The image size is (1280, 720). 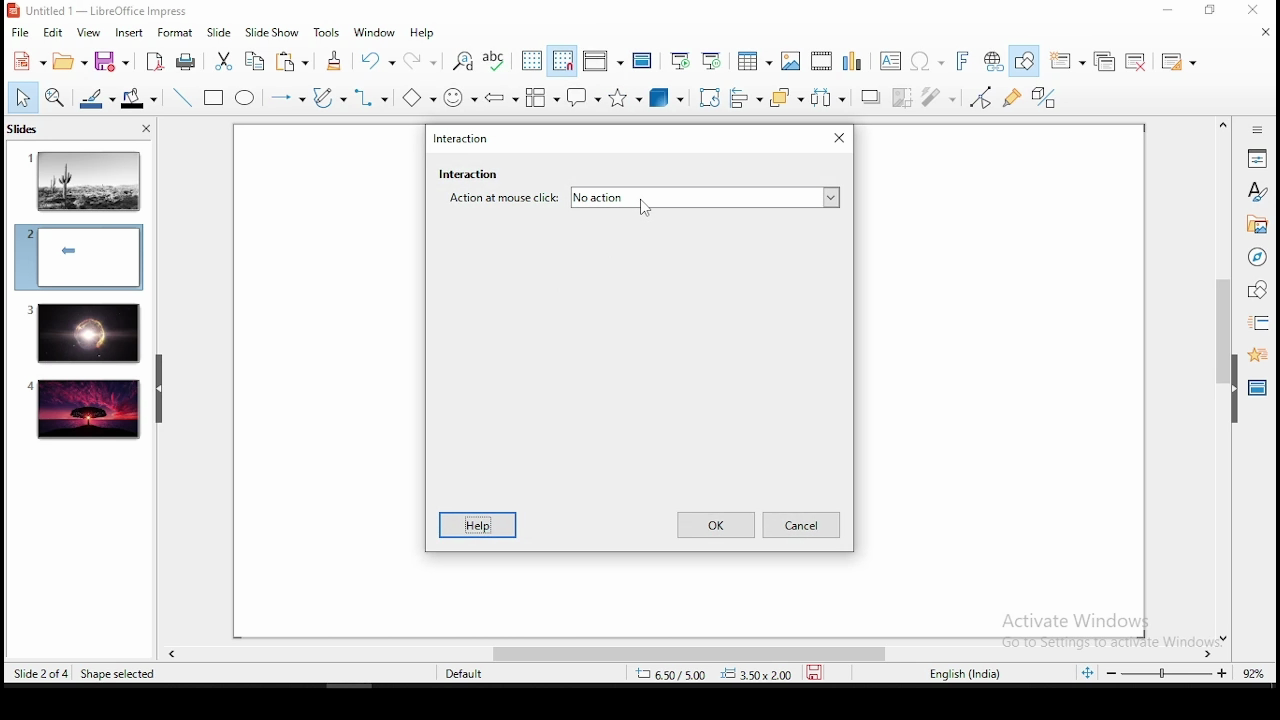 What do you see at coordinates (41, 674) in the screenshot?
I see `slide 2 of 4` at bounding box center [41, 674].